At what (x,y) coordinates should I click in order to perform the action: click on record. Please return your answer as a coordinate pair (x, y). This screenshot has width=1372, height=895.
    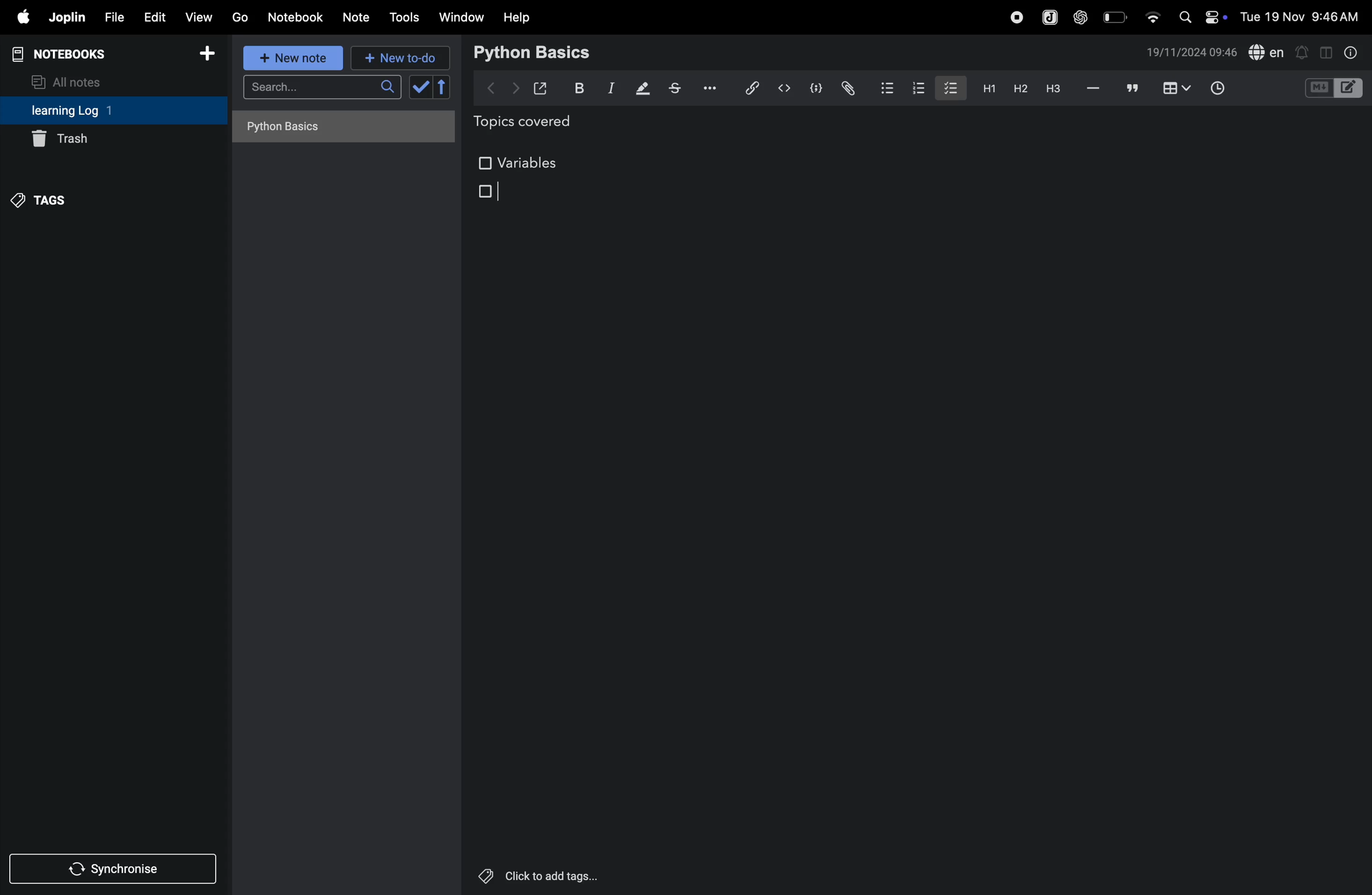
    Looking at the image, I should click on (1016, 16).